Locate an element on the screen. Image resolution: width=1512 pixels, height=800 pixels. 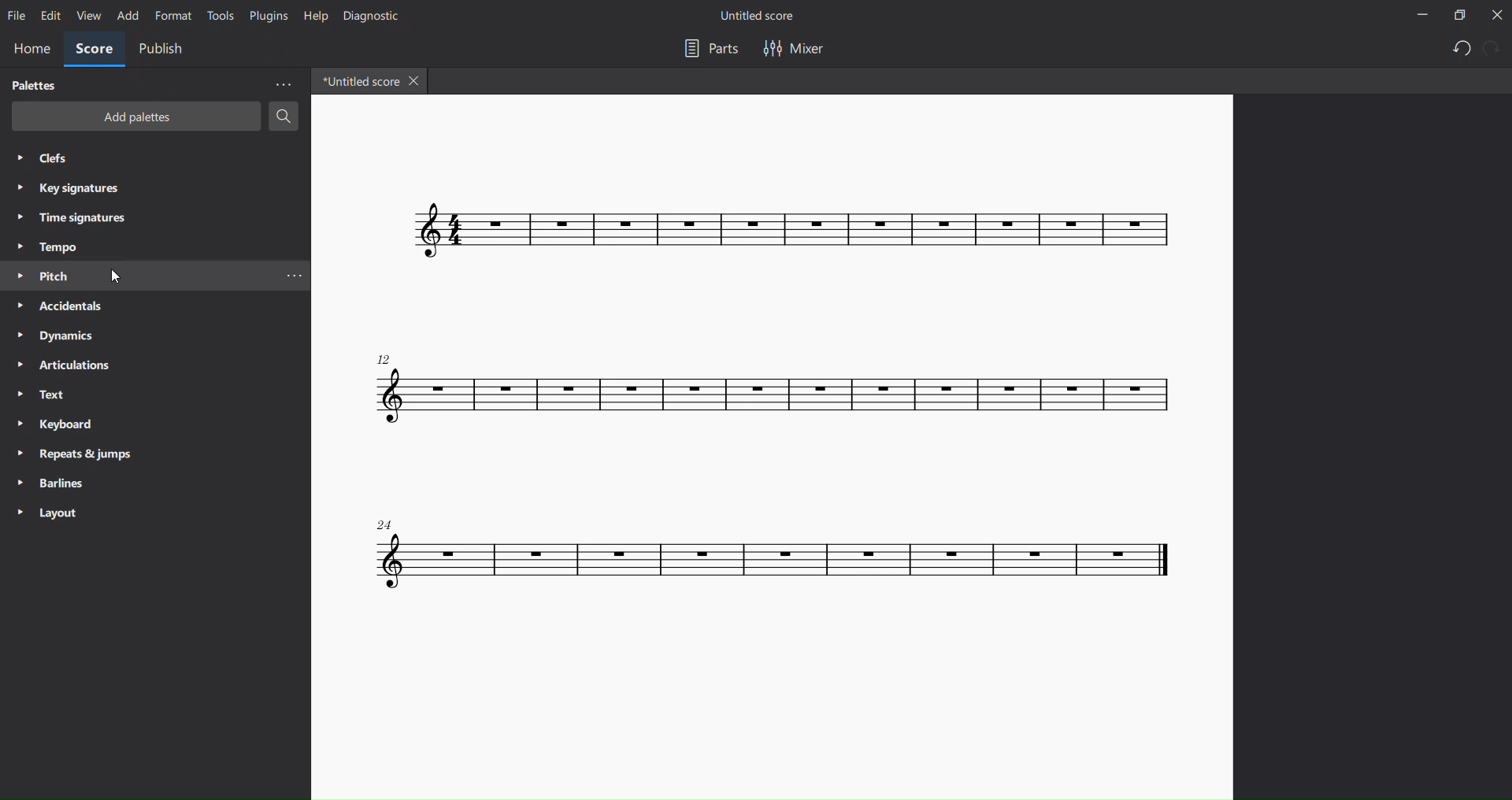
add is located at coordinates (124, 15).